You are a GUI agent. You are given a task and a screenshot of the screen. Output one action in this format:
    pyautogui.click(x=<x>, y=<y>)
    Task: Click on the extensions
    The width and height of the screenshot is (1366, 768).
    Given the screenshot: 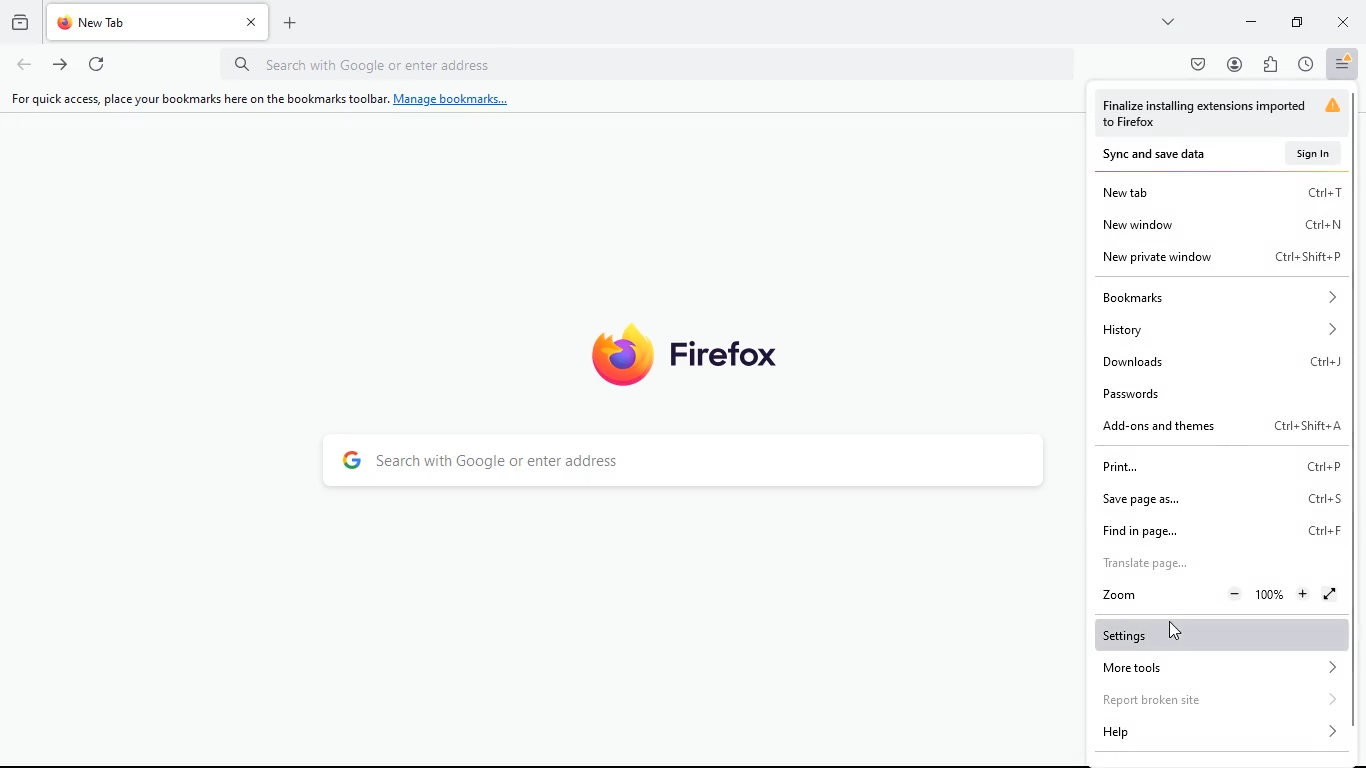 What is the action you would take?
    pyautogui.click(x=1269, y=66)
    